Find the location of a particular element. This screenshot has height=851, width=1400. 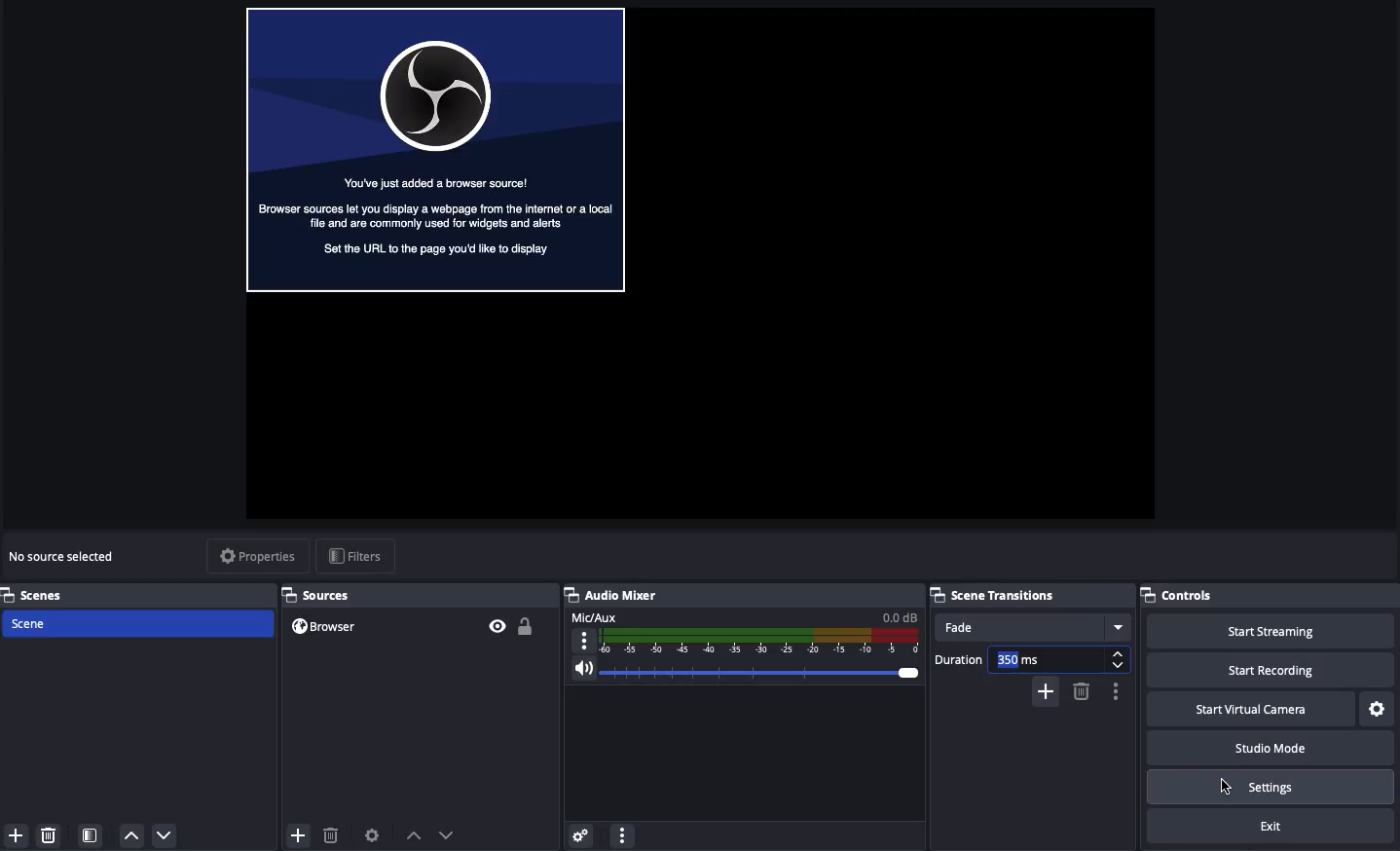

Options is located at coordinates (622, 832).